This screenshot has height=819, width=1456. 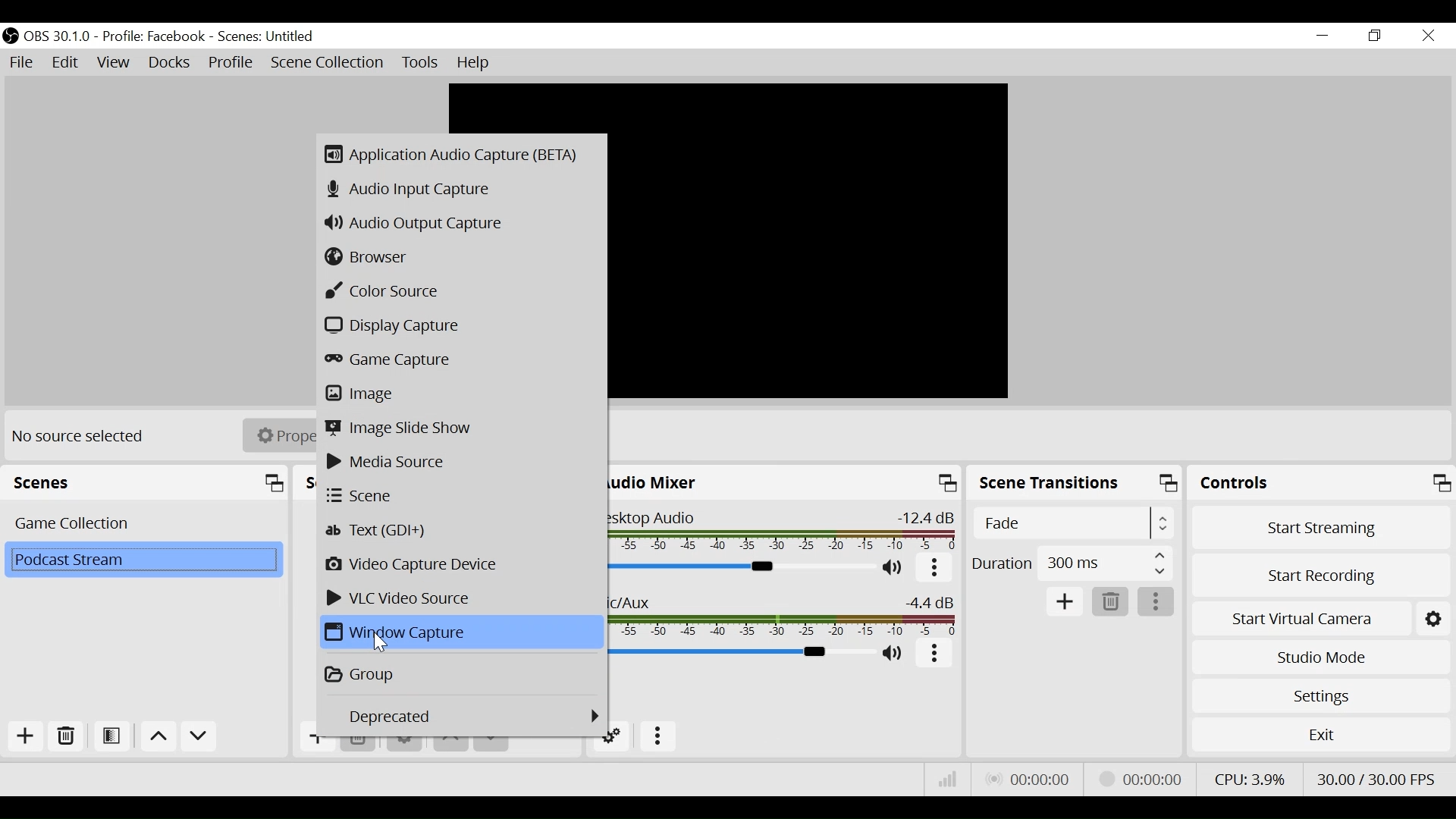 I want to click on Stream Status, so click(x=1144, y=780).